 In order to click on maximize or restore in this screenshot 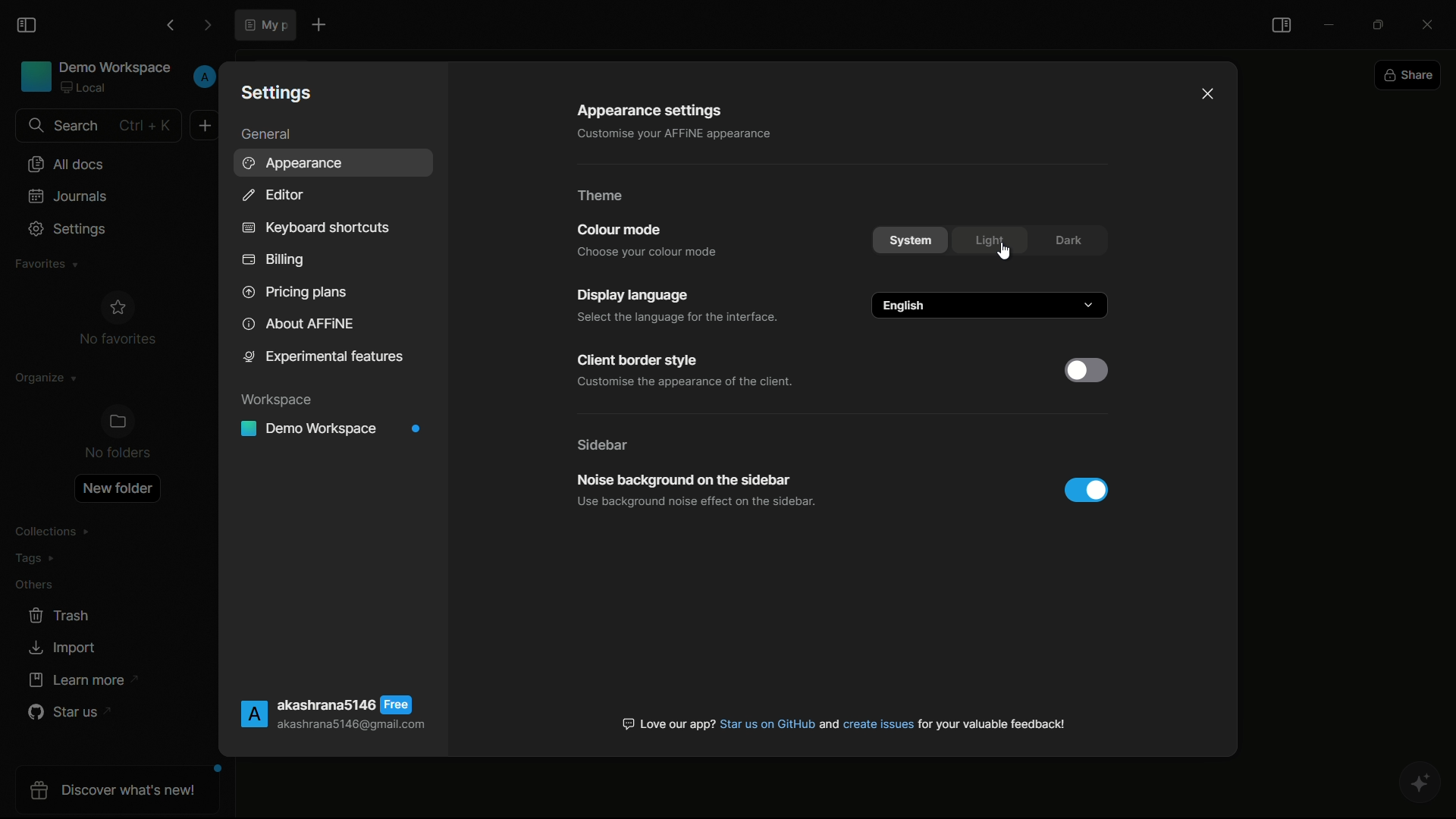, I will do `click(1382, 24)`.